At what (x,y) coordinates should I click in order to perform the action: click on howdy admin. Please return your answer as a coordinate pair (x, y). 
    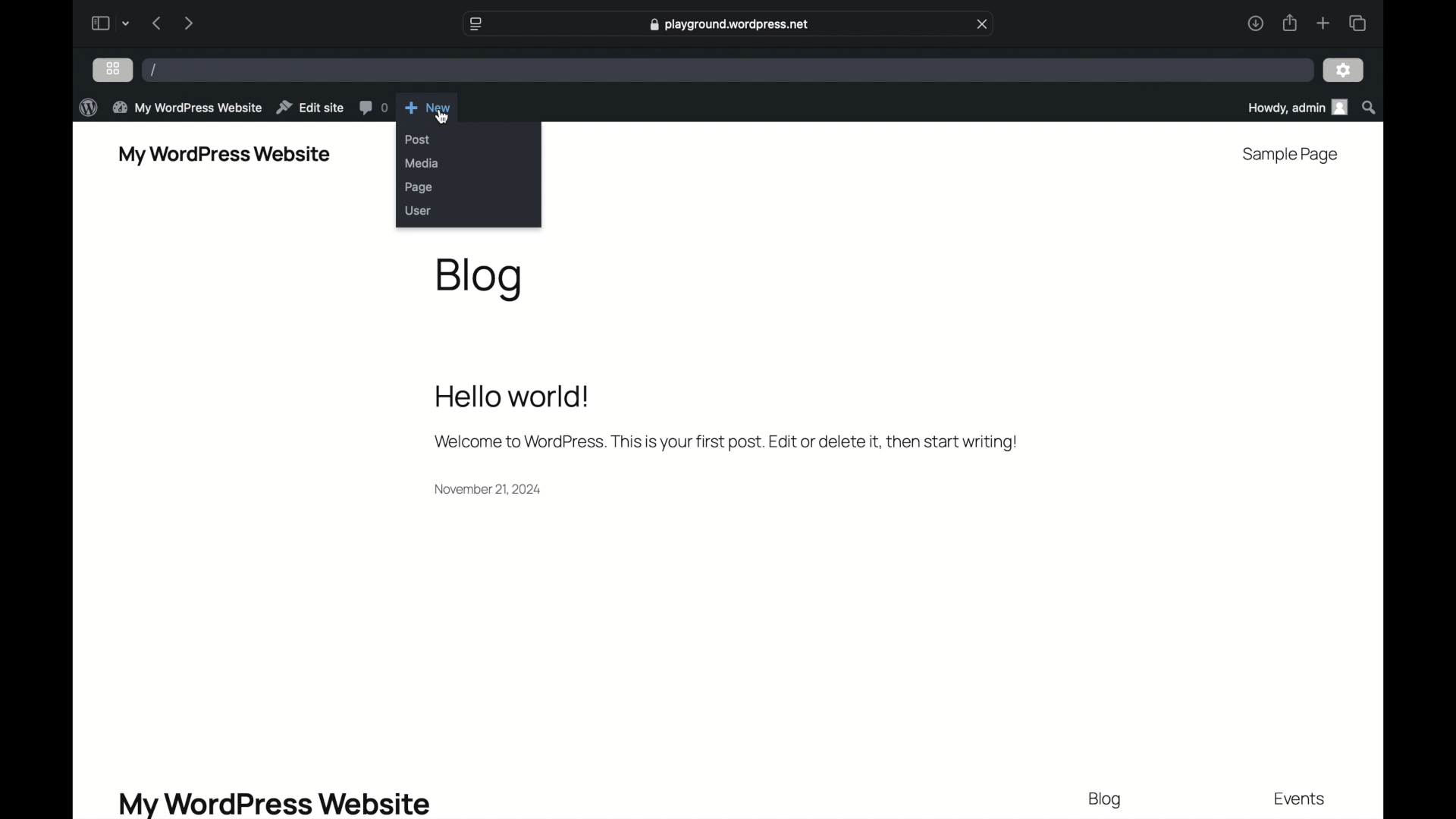
    Looking at the image, I should click on (1296, 107).